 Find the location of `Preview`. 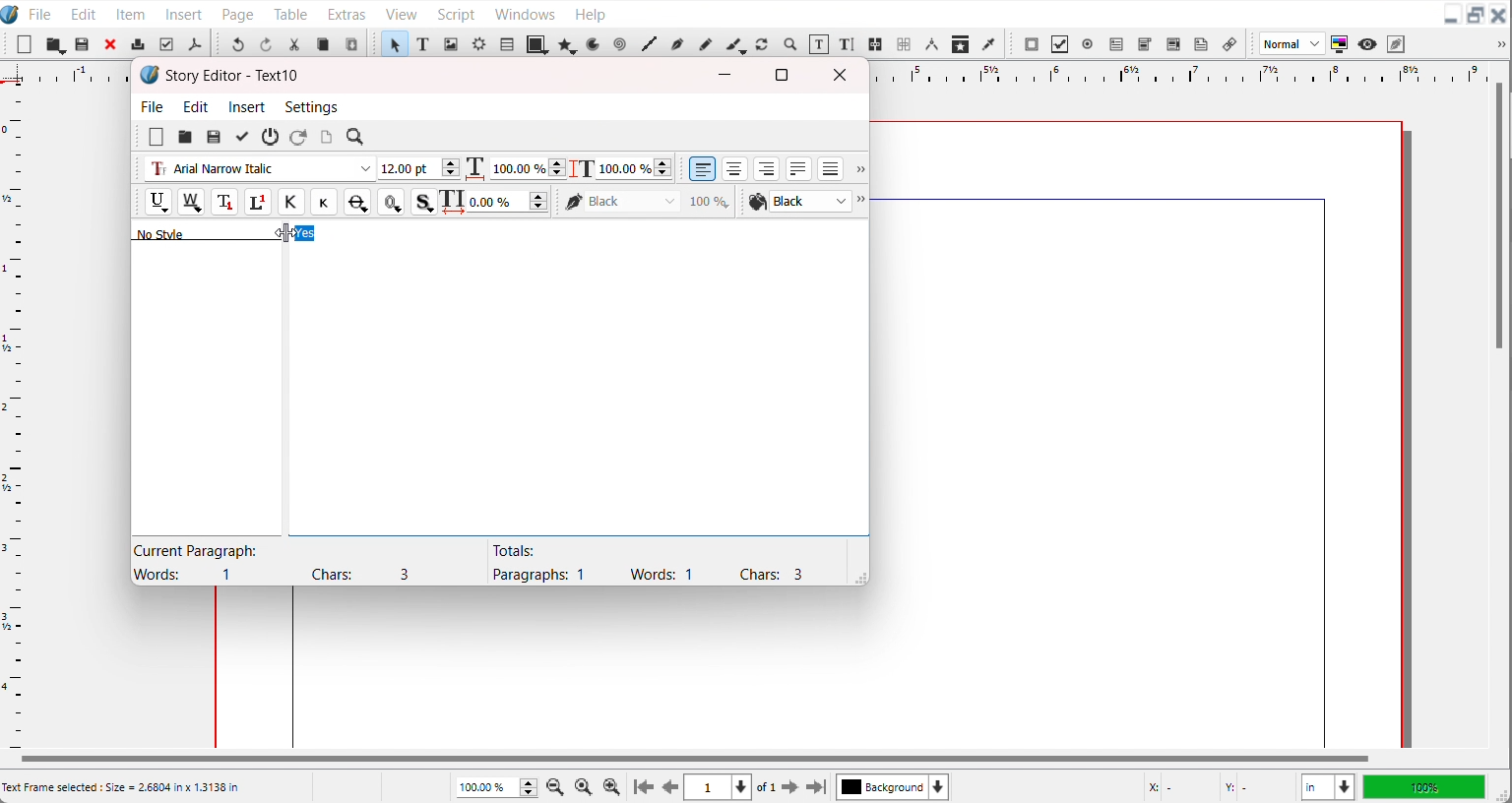

Preview is located at coordinates (1368, 44).